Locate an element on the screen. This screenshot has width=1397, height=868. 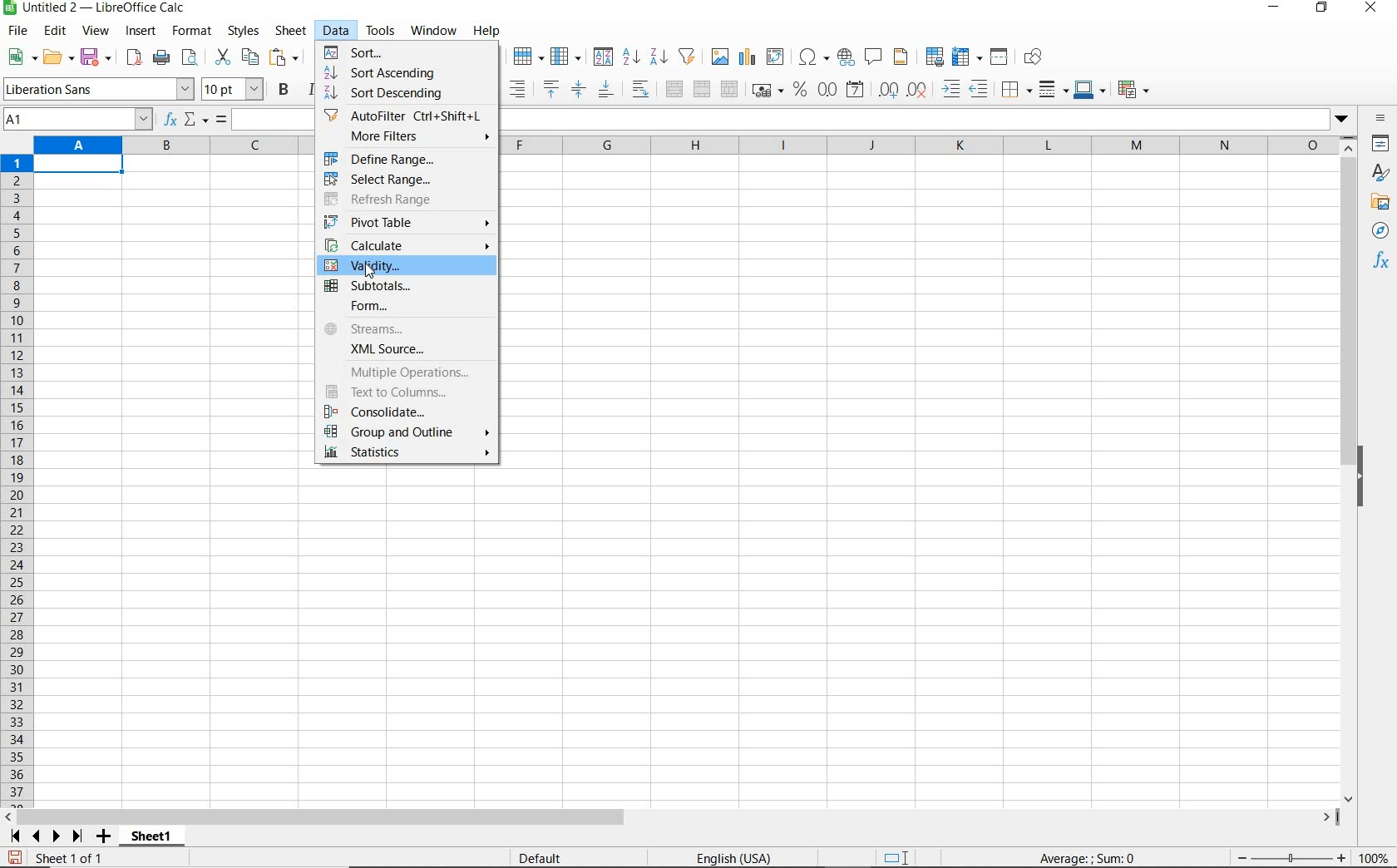
align top is located at coordinates (550, 90).